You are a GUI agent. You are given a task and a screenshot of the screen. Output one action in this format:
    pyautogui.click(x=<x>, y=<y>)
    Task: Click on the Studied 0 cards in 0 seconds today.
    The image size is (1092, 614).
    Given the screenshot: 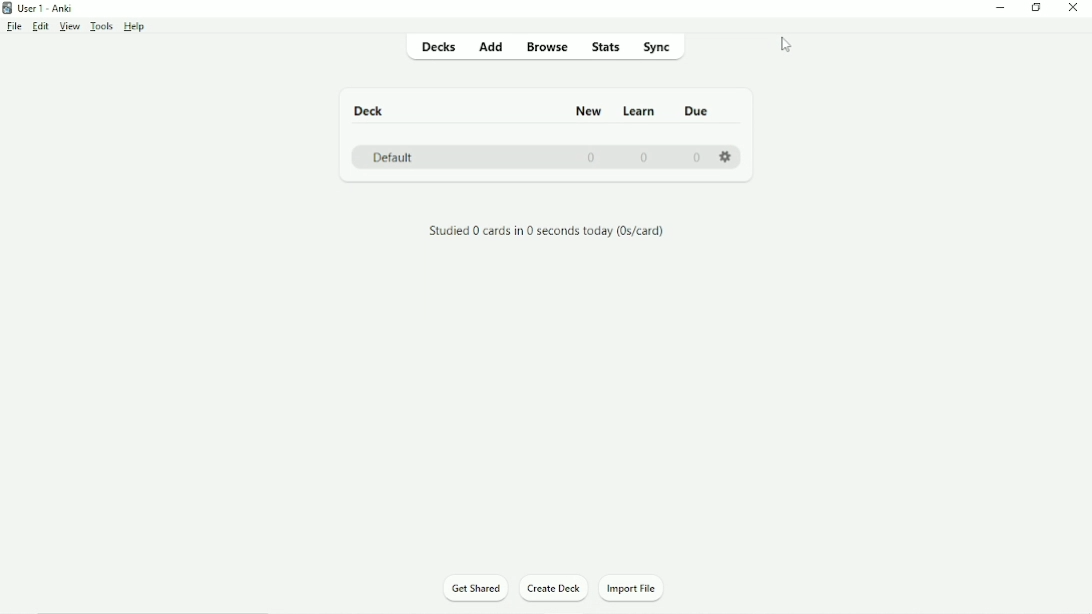 What is the action you would take?
    pyautogui.click(x=547, y=232)
    